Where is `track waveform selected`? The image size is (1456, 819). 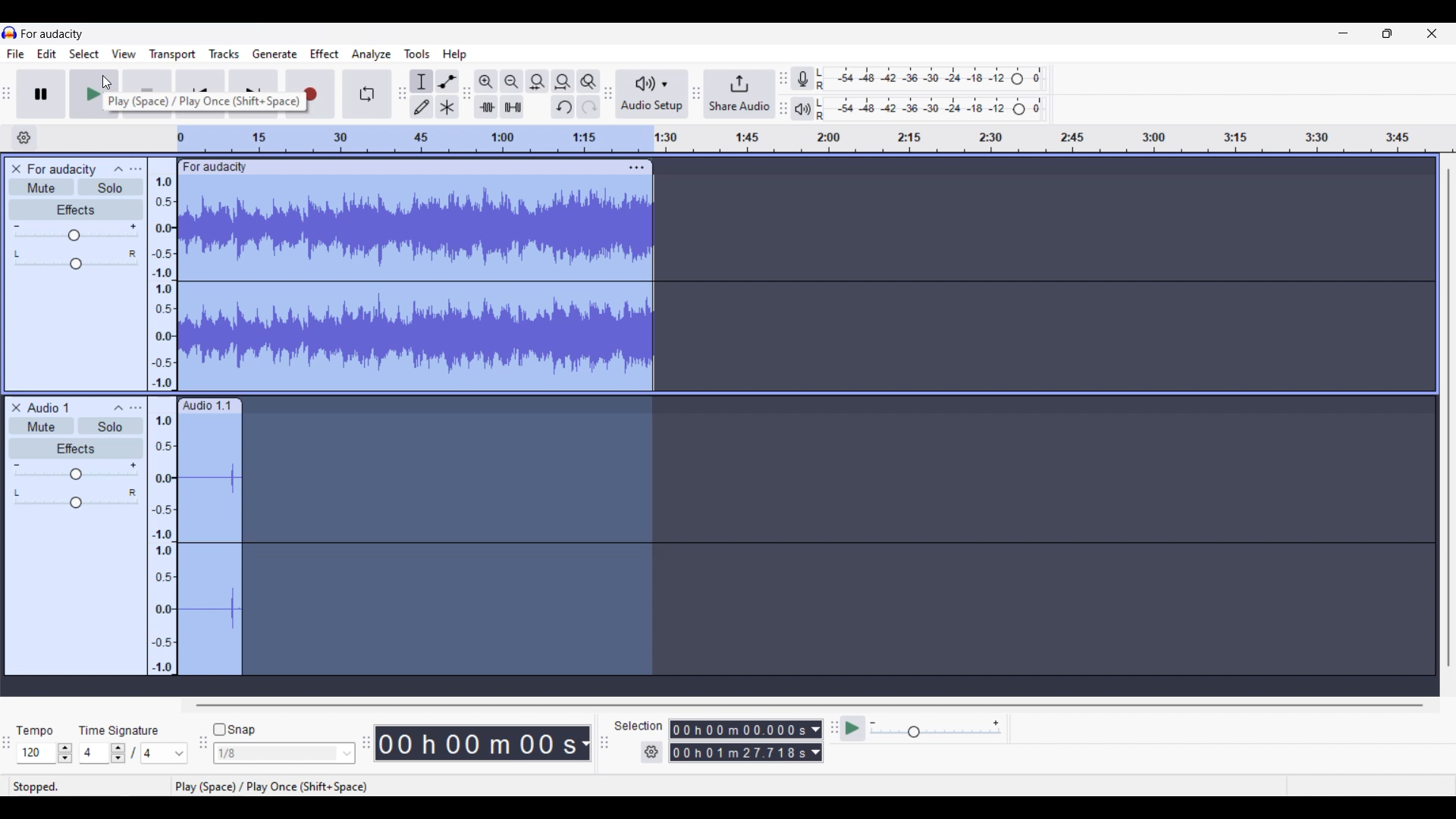 track waveform selected is located at coordinates (209, 548).